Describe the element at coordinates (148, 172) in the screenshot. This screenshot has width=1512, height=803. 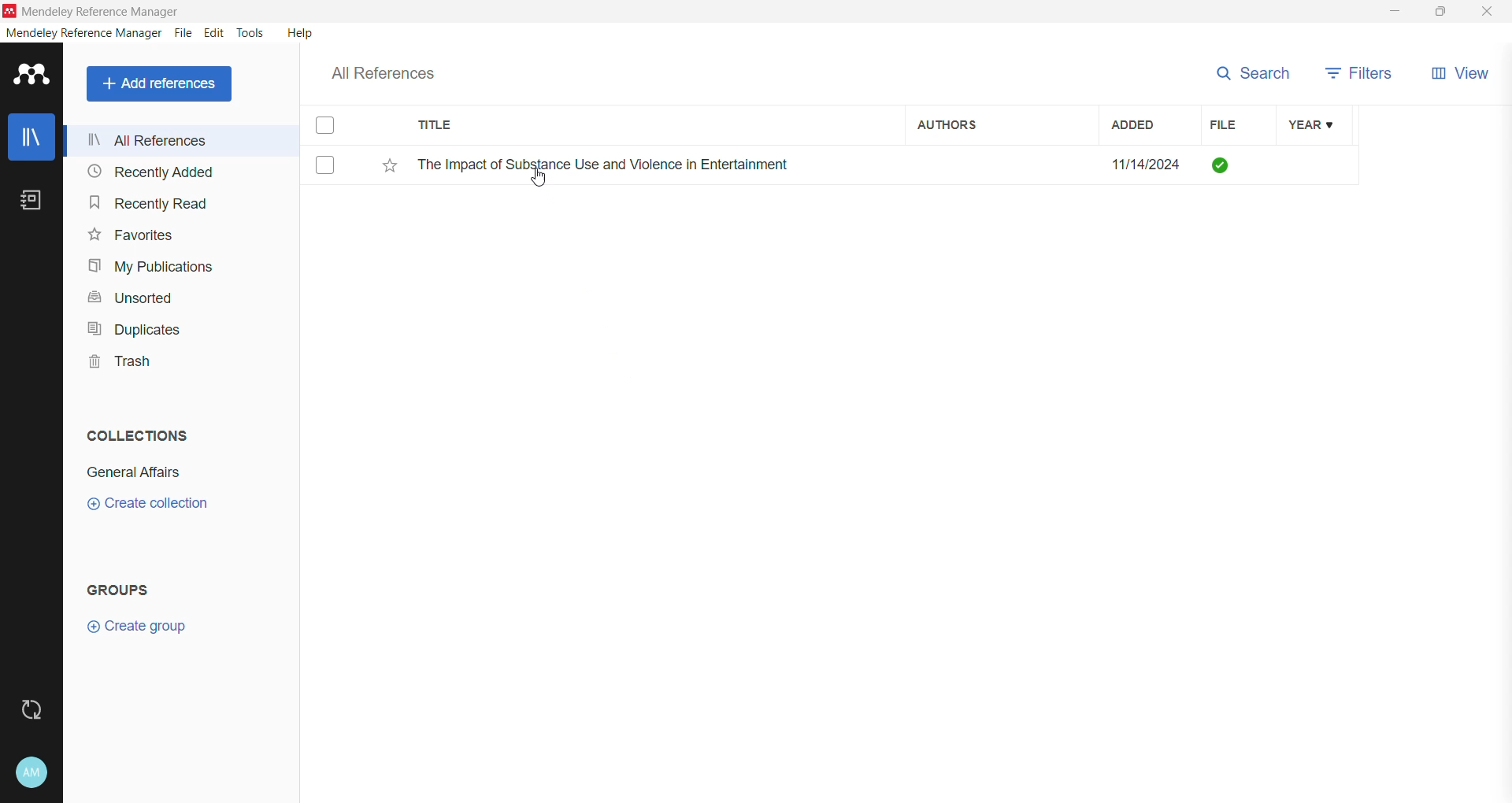
I see `Recently Added` at that location.